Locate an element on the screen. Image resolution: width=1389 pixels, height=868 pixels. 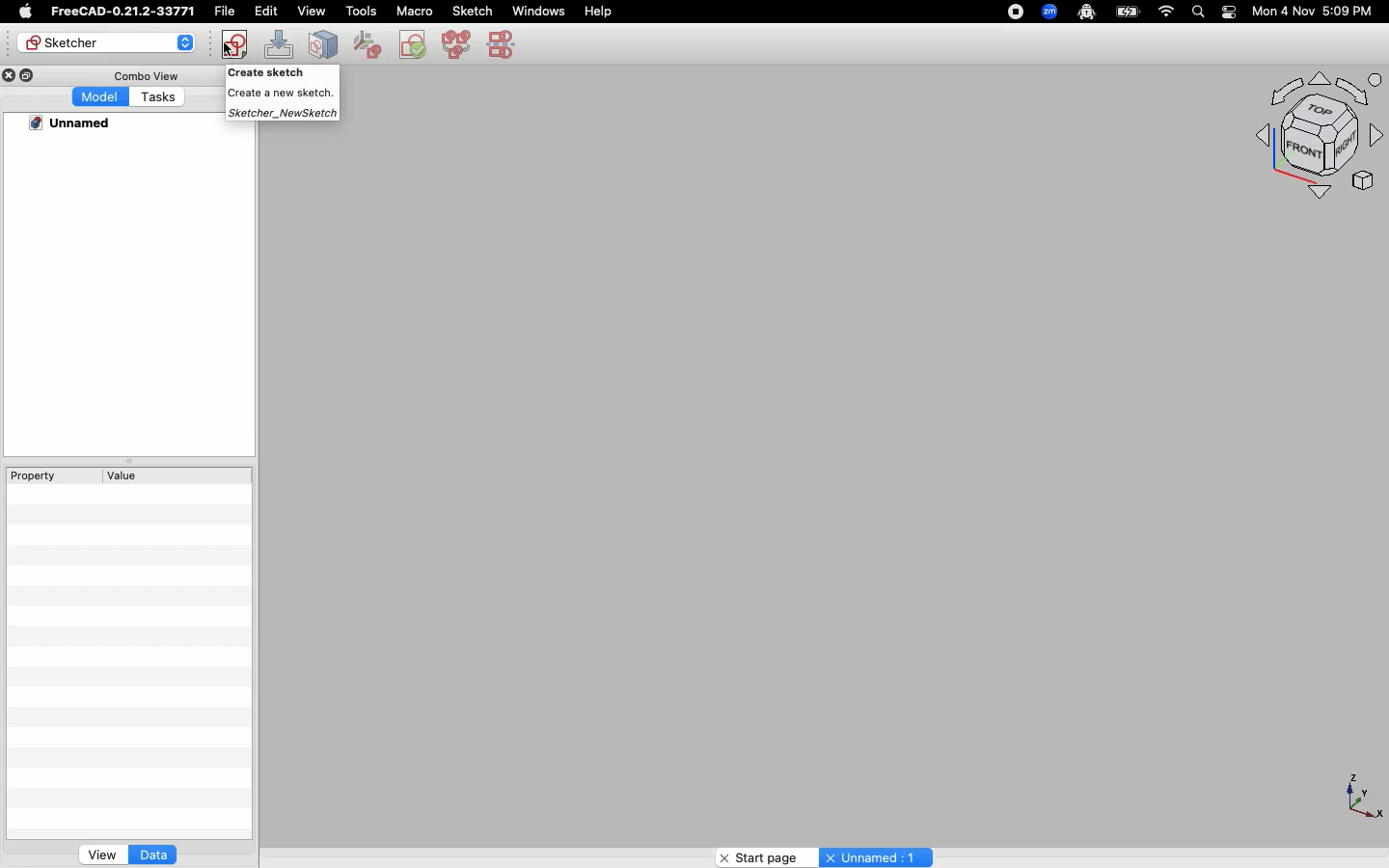
Tasks is located at coordinates (159, 97).